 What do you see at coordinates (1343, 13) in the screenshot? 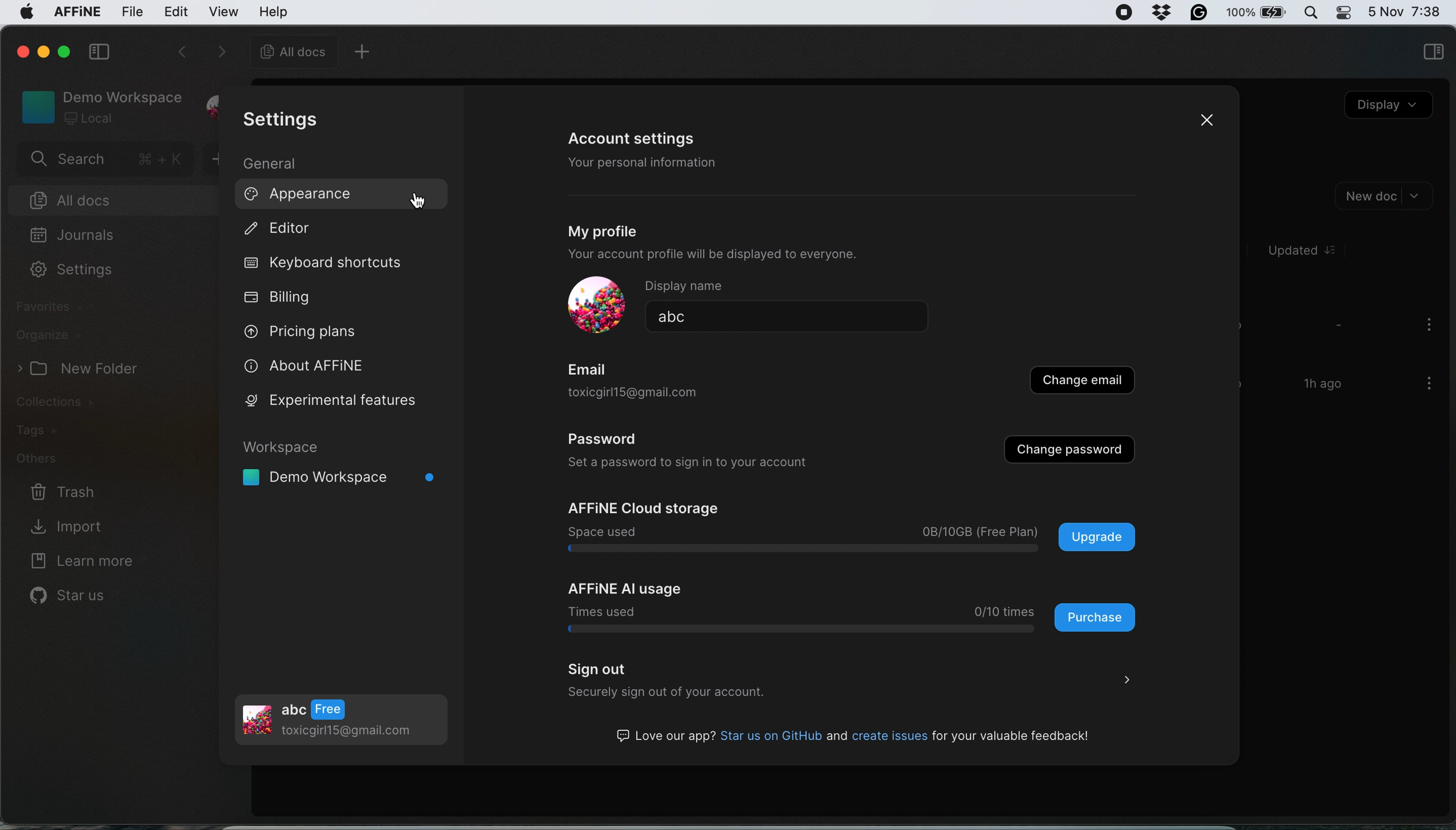
I see `control center` at bounding box center [1343, 13].